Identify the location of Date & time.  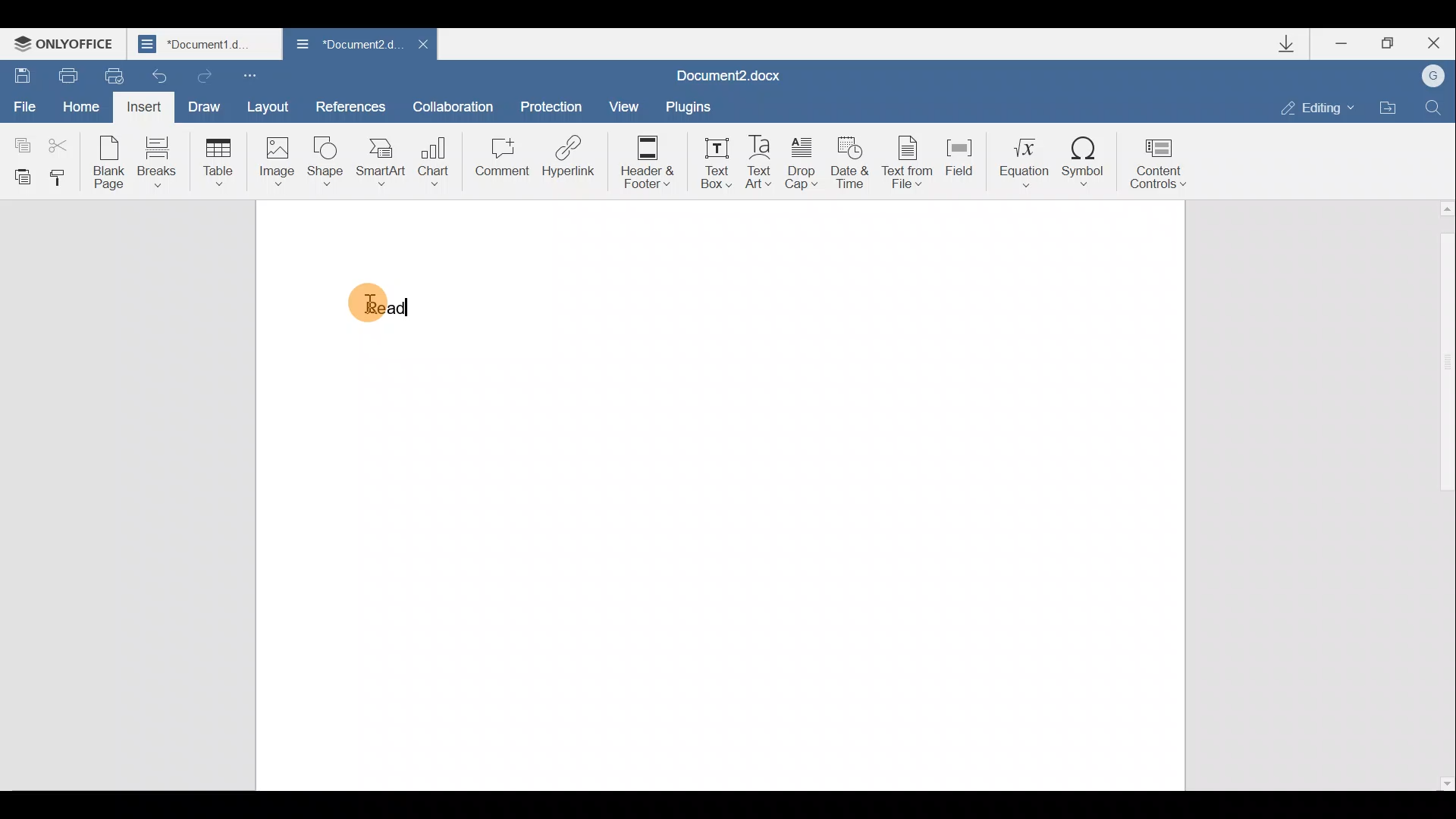
(850, 167).